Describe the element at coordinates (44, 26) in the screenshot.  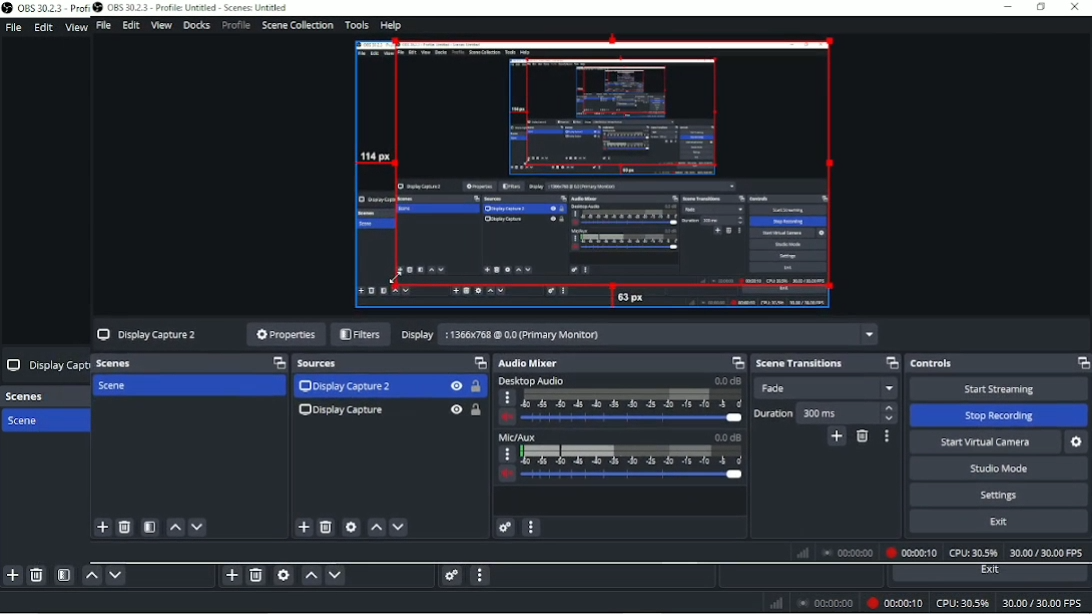
I see `Edit` at that location.